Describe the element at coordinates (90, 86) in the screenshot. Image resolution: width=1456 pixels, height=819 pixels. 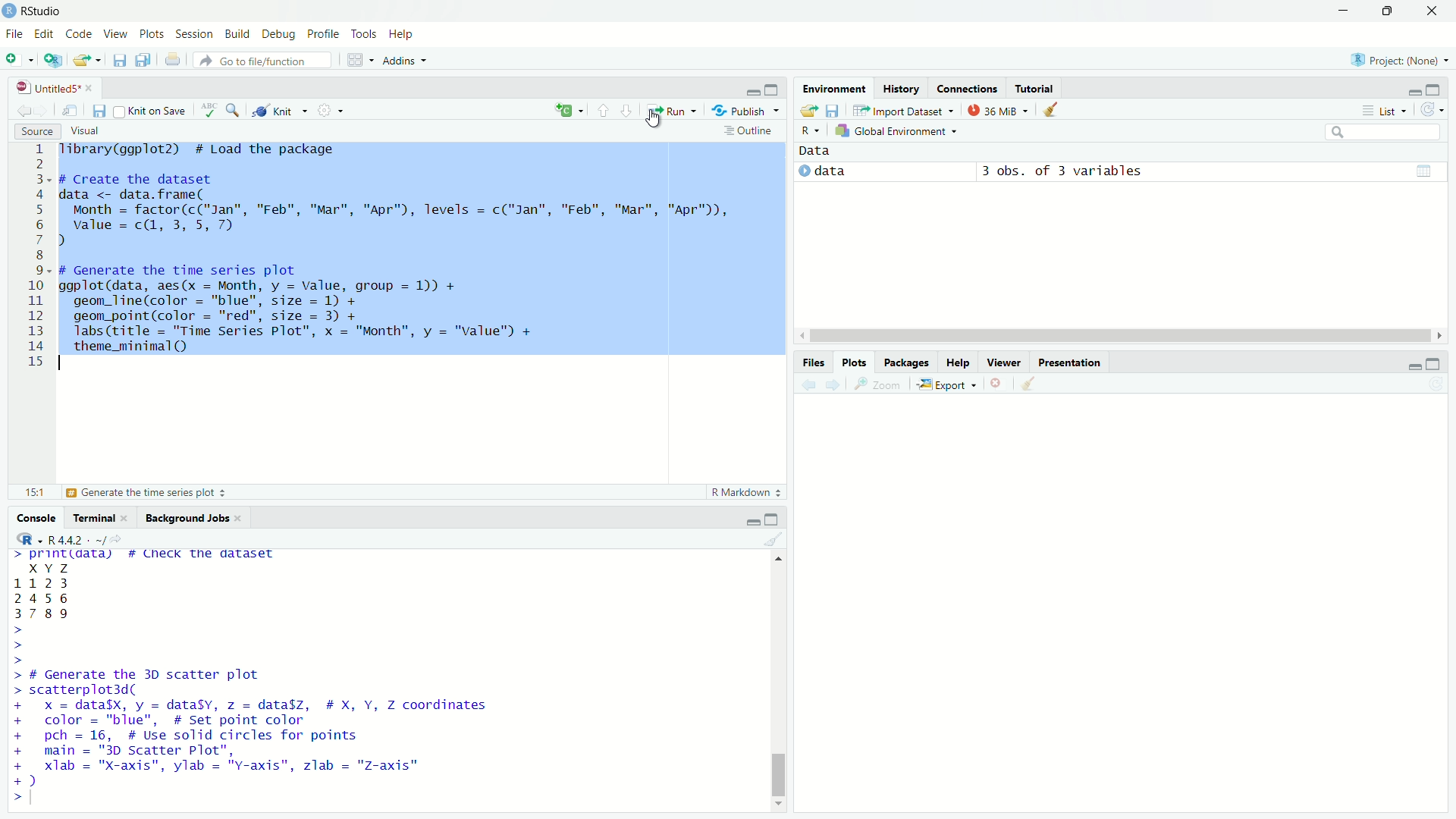
I see `close` at that location.